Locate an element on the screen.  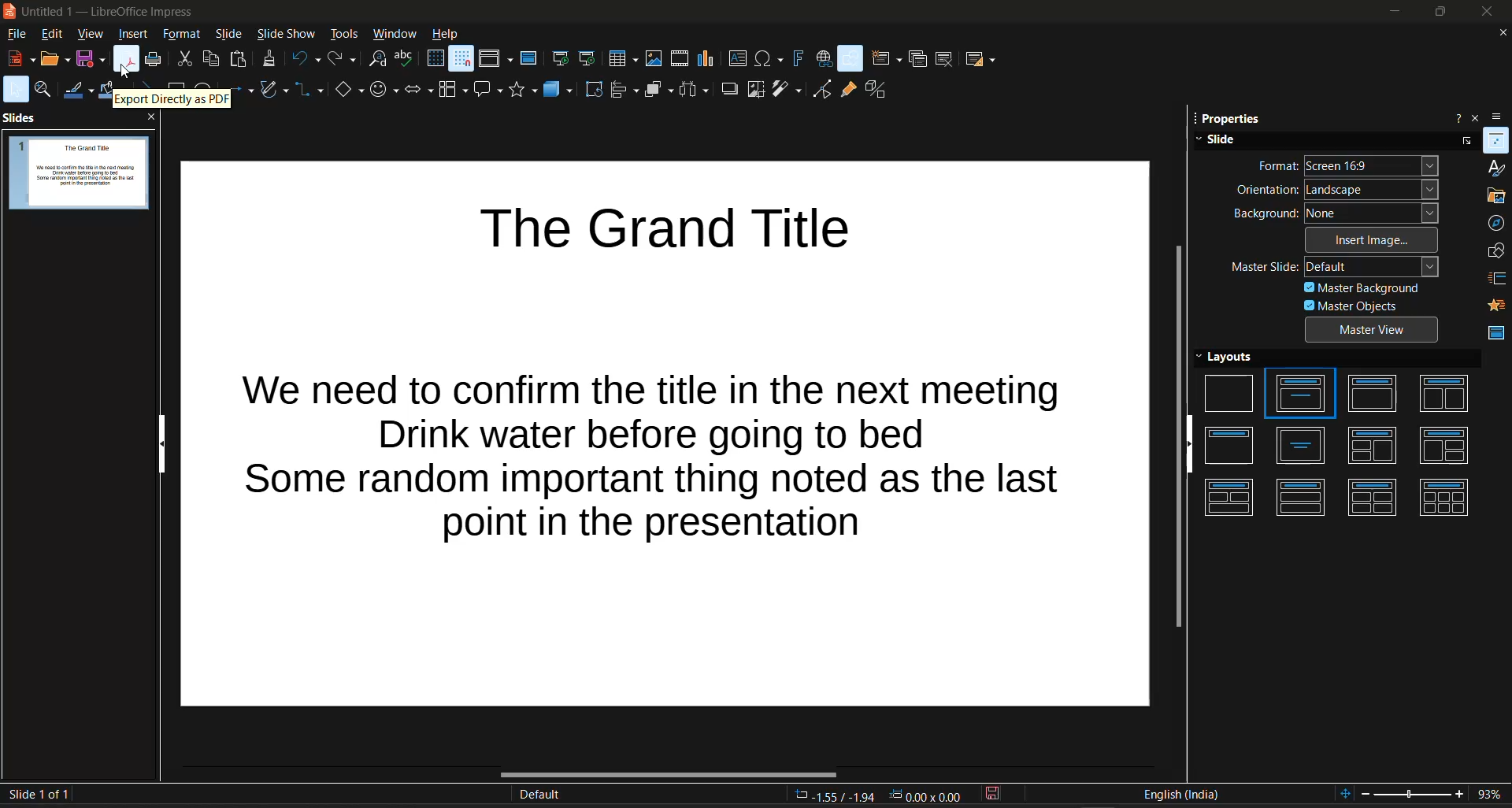
horizontal scroll bar is located at coordinates (668, 773).